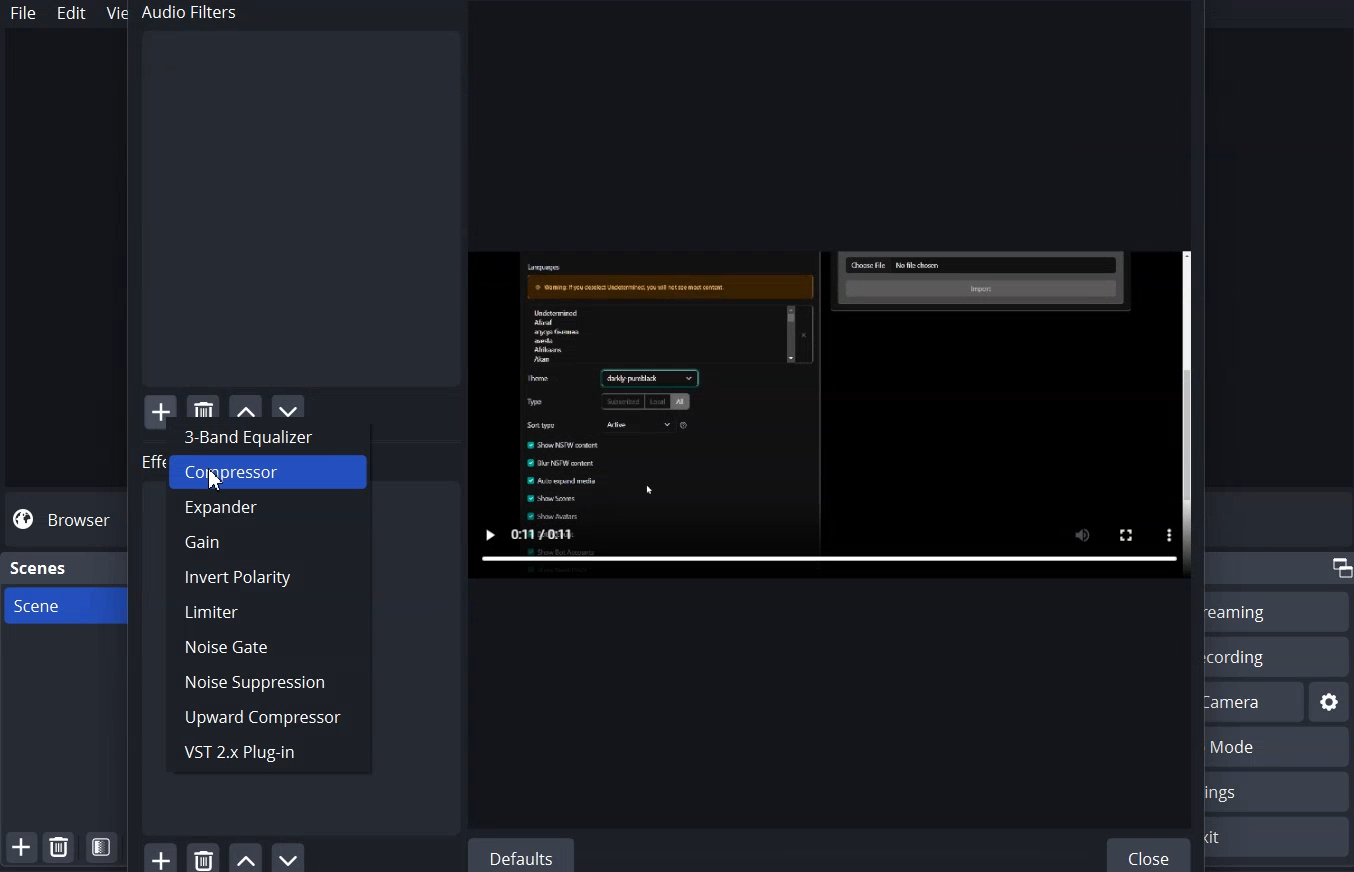  Describe the element at coordinates (40, 568) in the screenshot. I see `Scene` at that location.